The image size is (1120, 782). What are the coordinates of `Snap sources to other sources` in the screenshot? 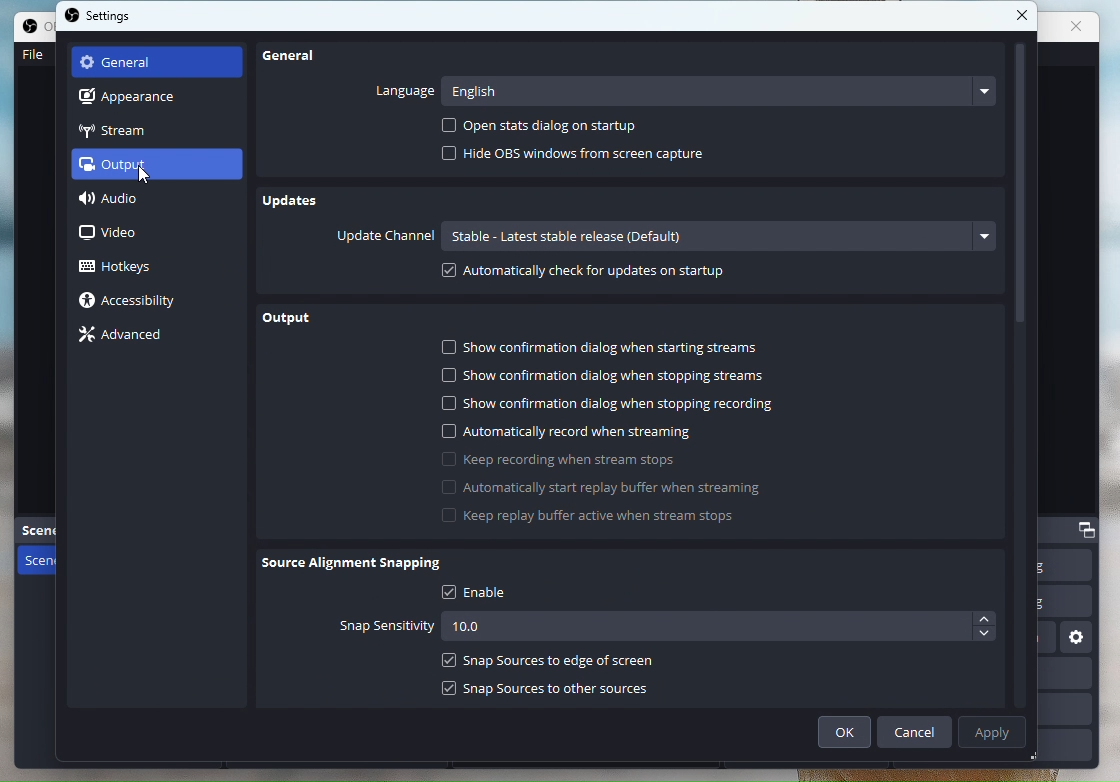 It's located at (542, 686).